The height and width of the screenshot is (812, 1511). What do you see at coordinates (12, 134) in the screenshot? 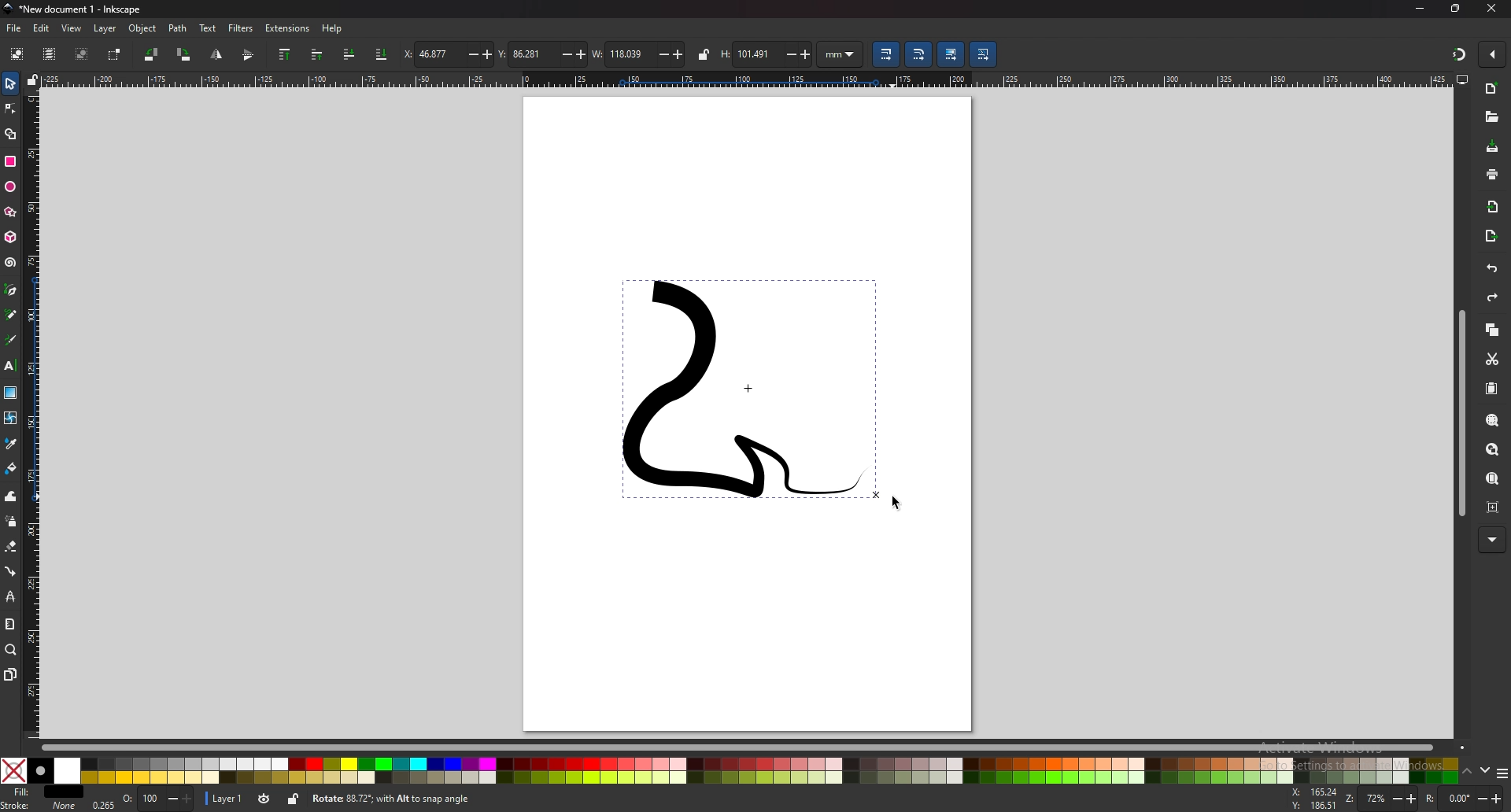
I see `shape builder` at bounding box center [12, 134].